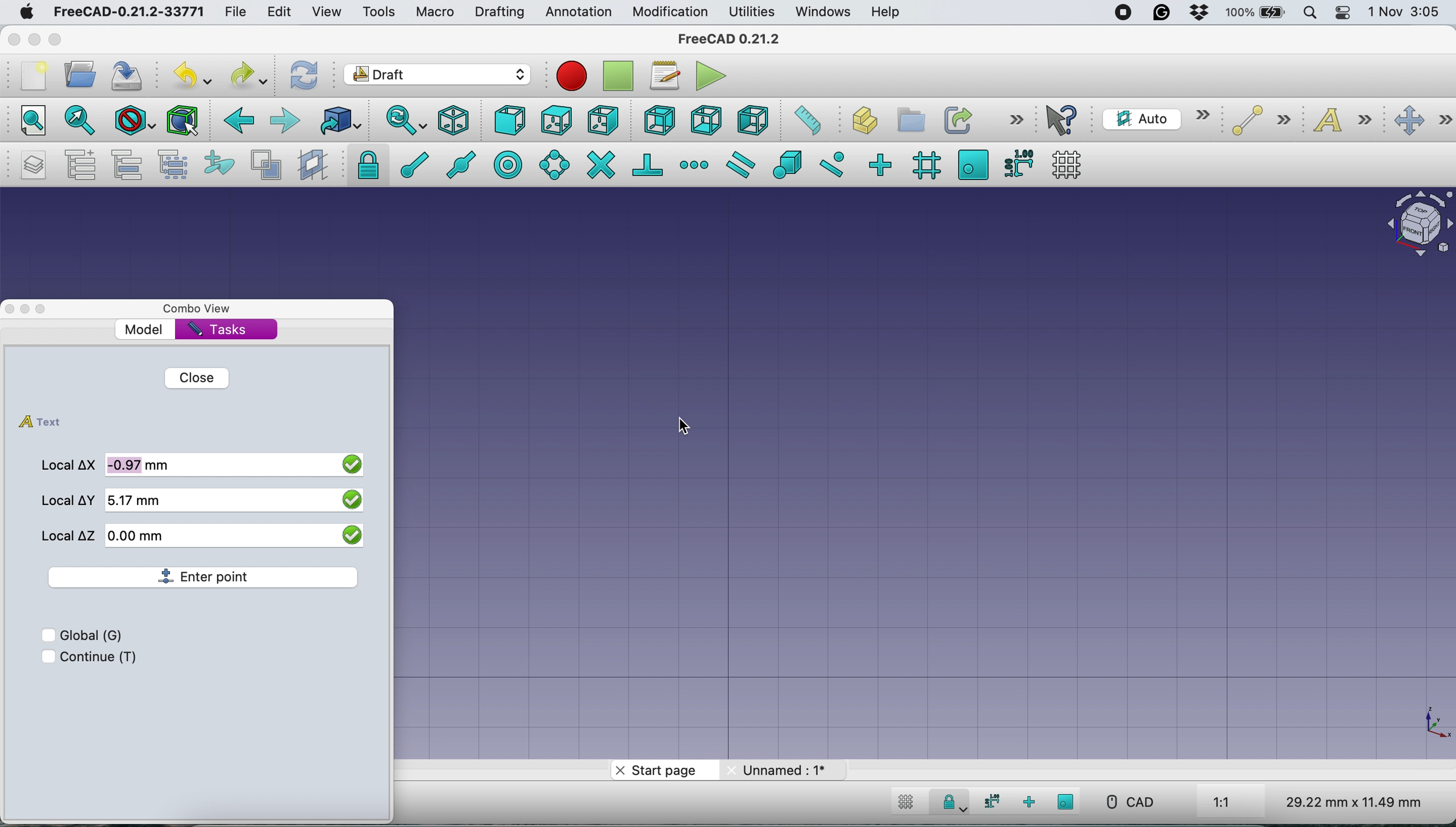 The height and width of the screenshot is (827, 1456). What do you see at coordinates (410, 166) in the screenshot?
I see `snap at end` at bounding box center [410, 166].